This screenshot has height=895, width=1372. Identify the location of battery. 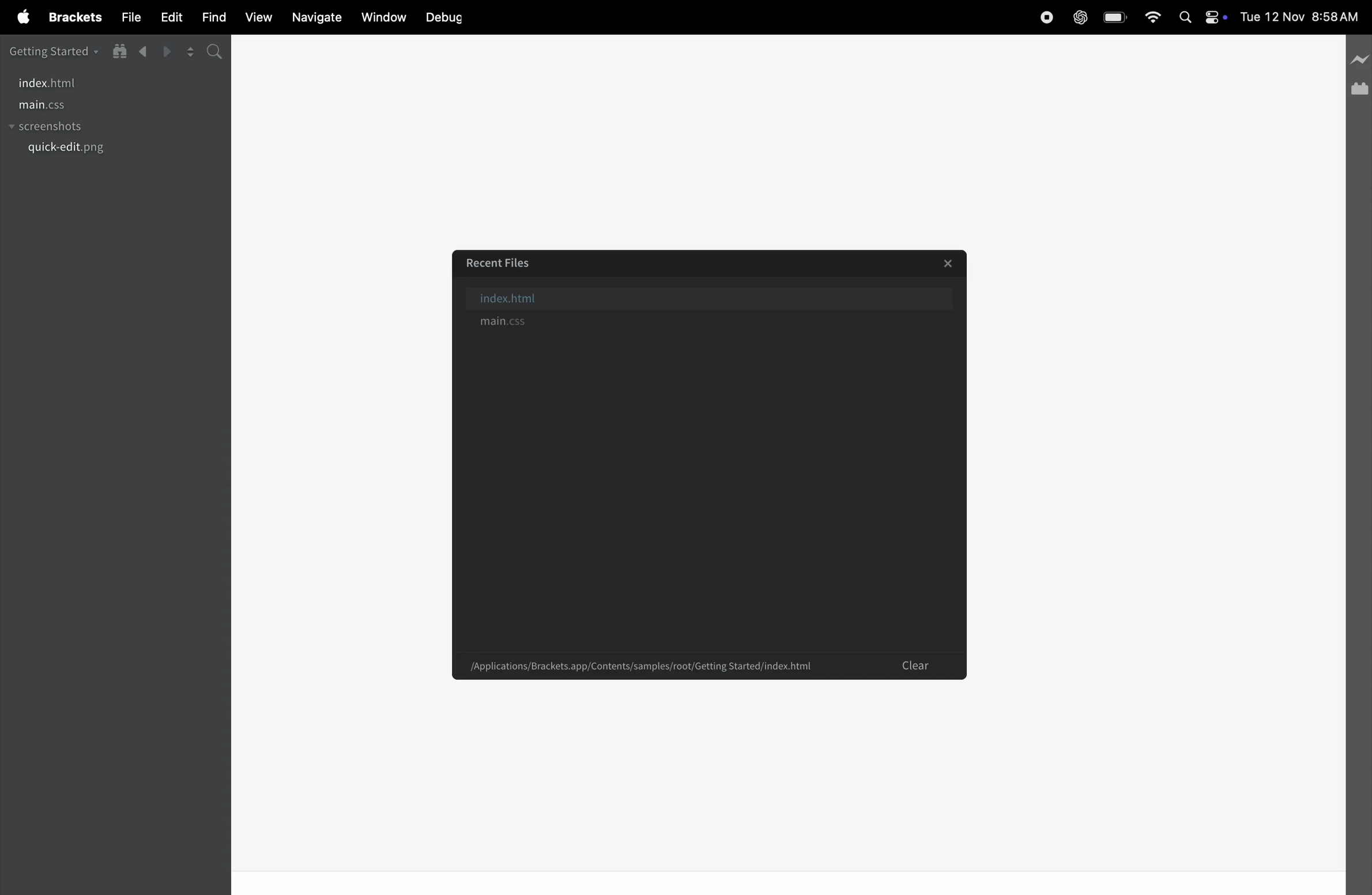
(1113, 18).